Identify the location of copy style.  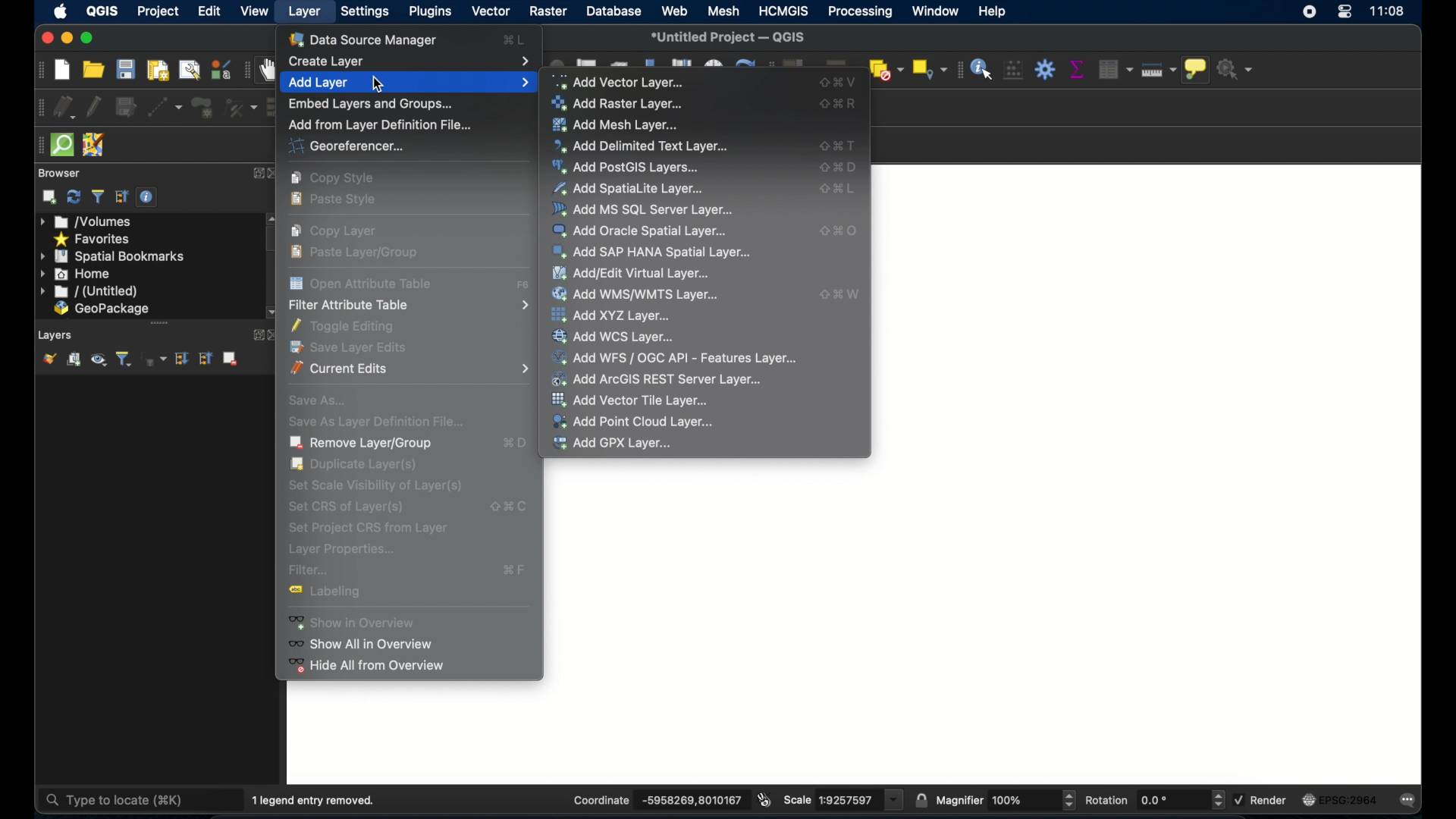
(335, 178).